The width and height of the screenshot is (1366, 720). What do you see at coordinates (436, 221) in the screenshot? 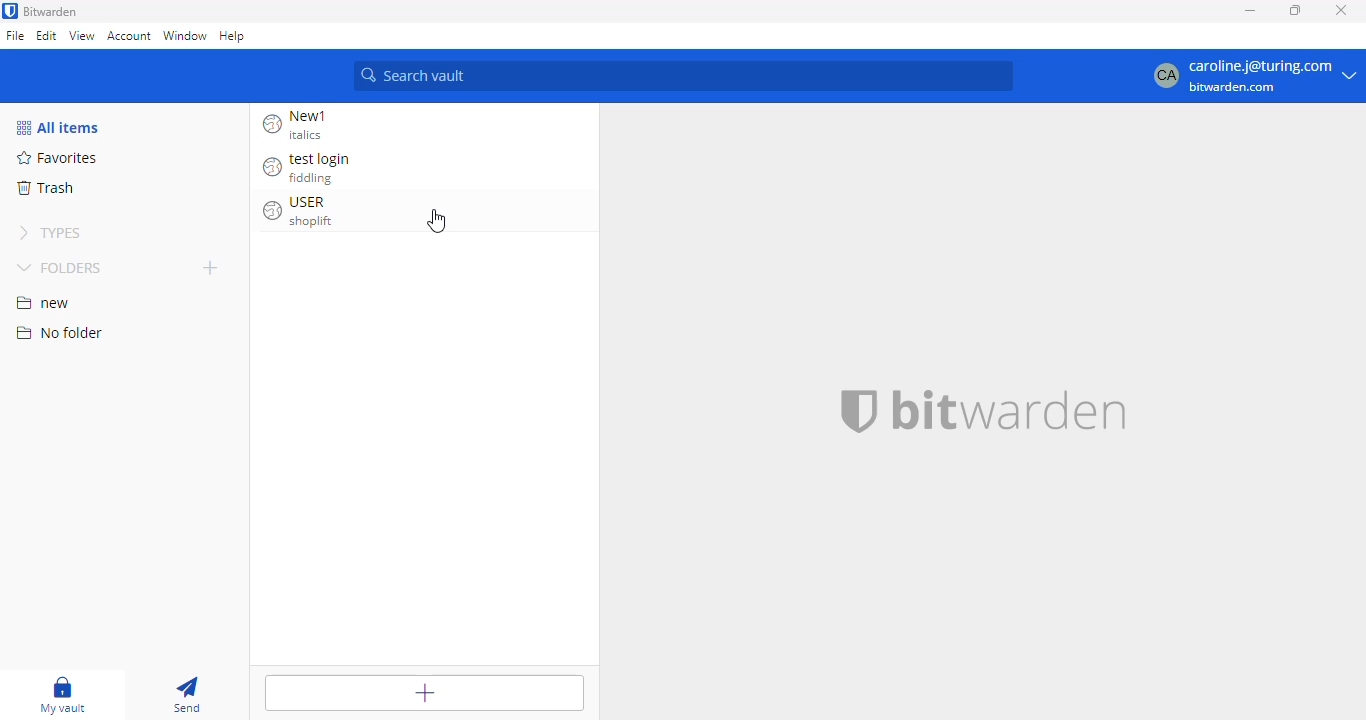
I see `cursor` at bounding box center [436, 221].